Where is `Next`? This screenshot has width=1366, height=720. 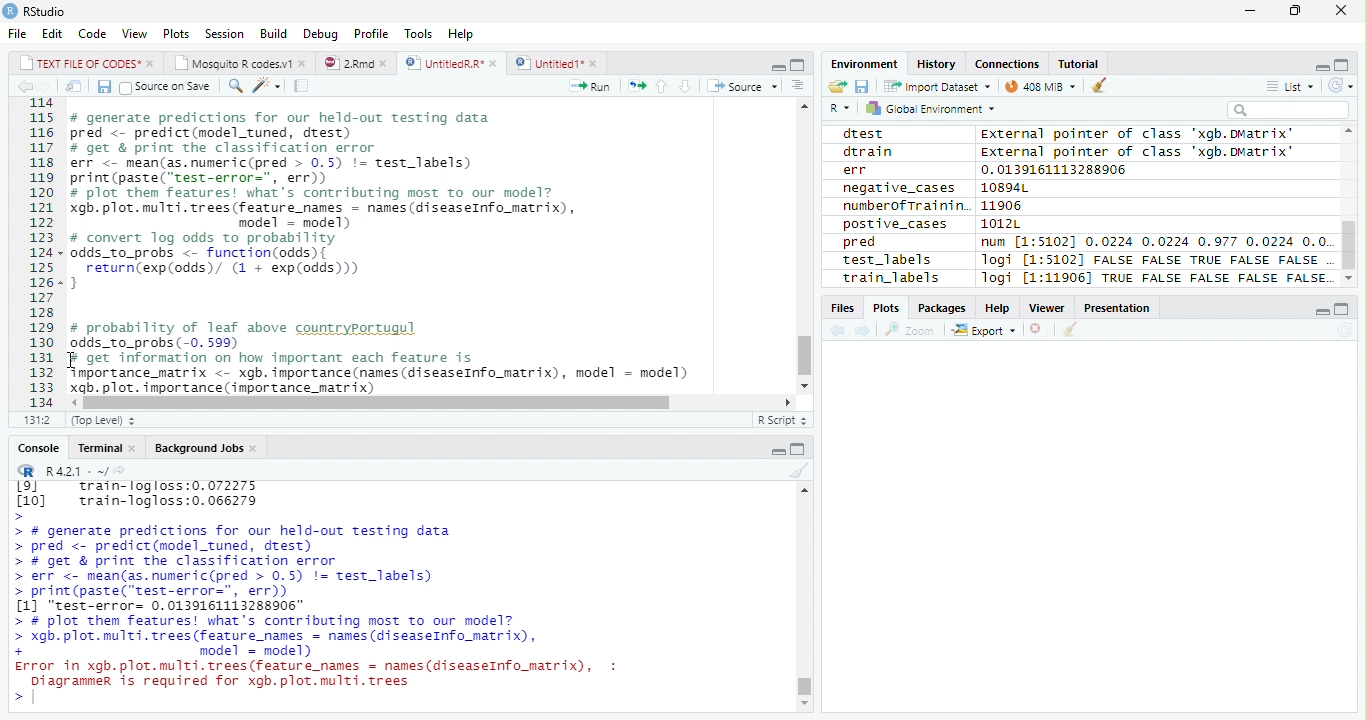 Next is located at coordinates (49, 86).